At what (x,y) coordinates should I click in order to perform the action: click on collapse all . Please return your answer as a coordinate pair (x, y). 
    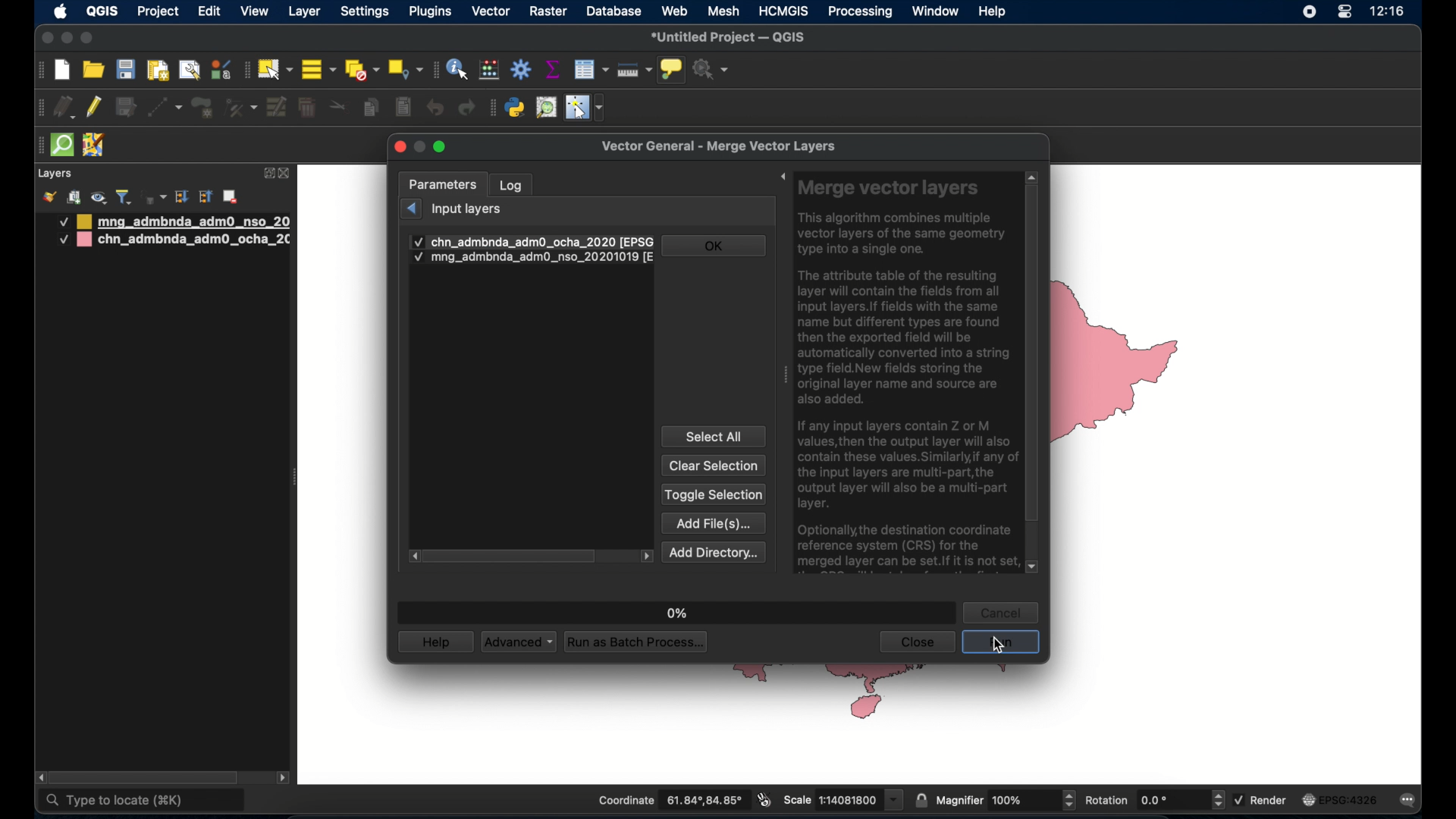
    Looking at the image, I should click on (206, 199).